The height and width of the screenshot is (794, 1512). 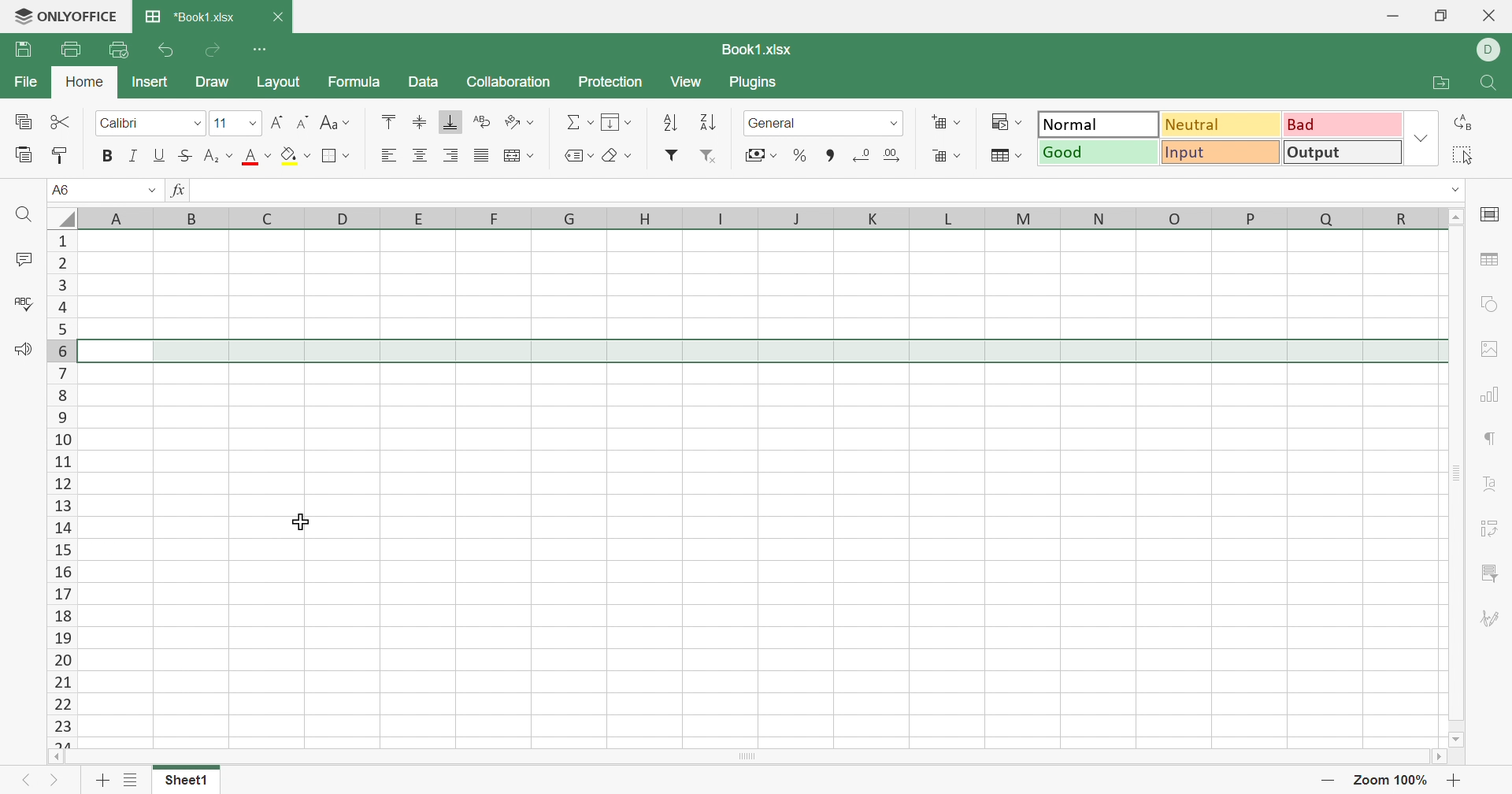 I want to click on Sheet1, so click(x=191, y=781).